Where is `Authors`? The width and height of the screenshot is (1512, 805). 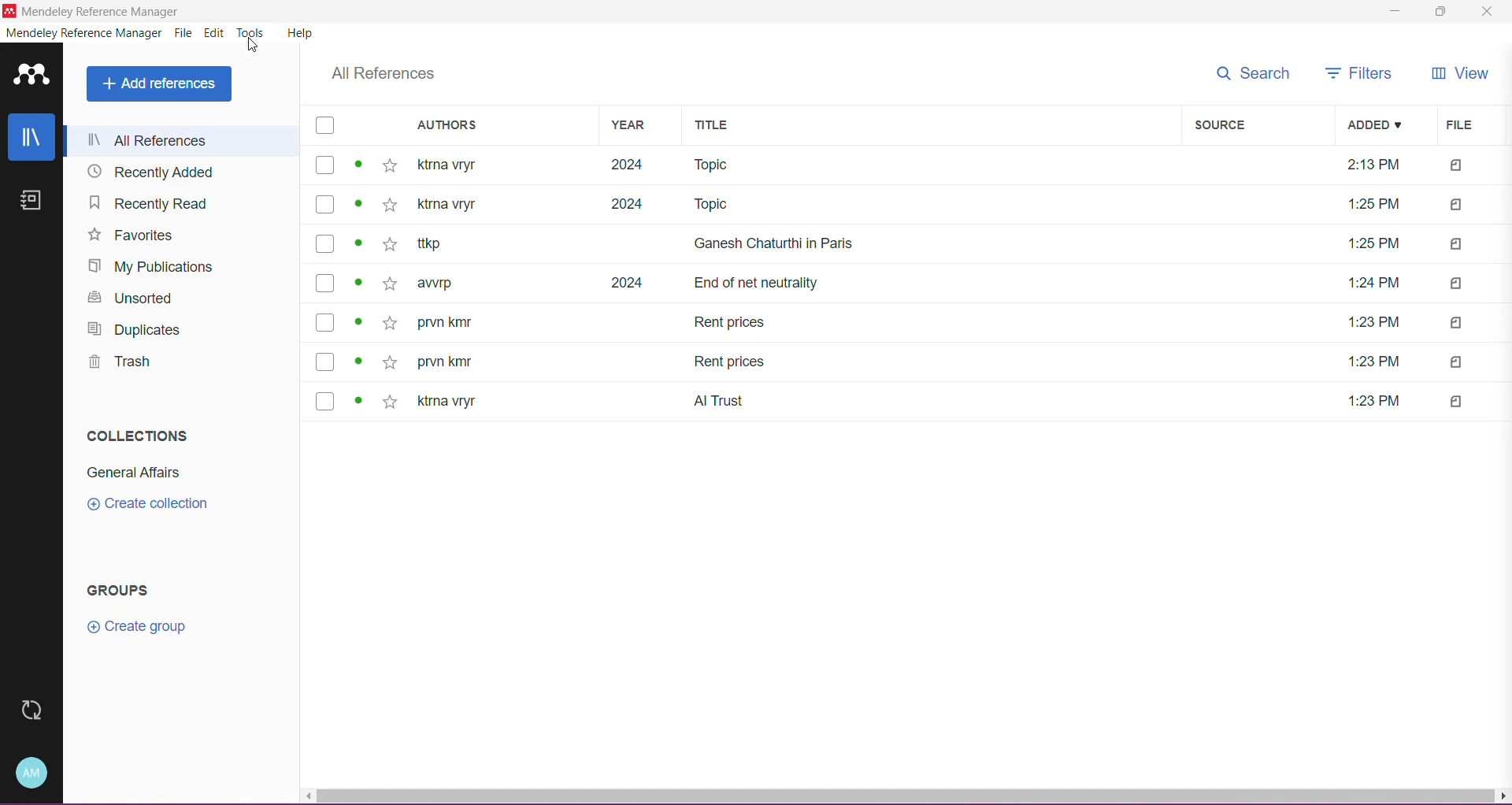
Authors is located at coordinates (502, 126).